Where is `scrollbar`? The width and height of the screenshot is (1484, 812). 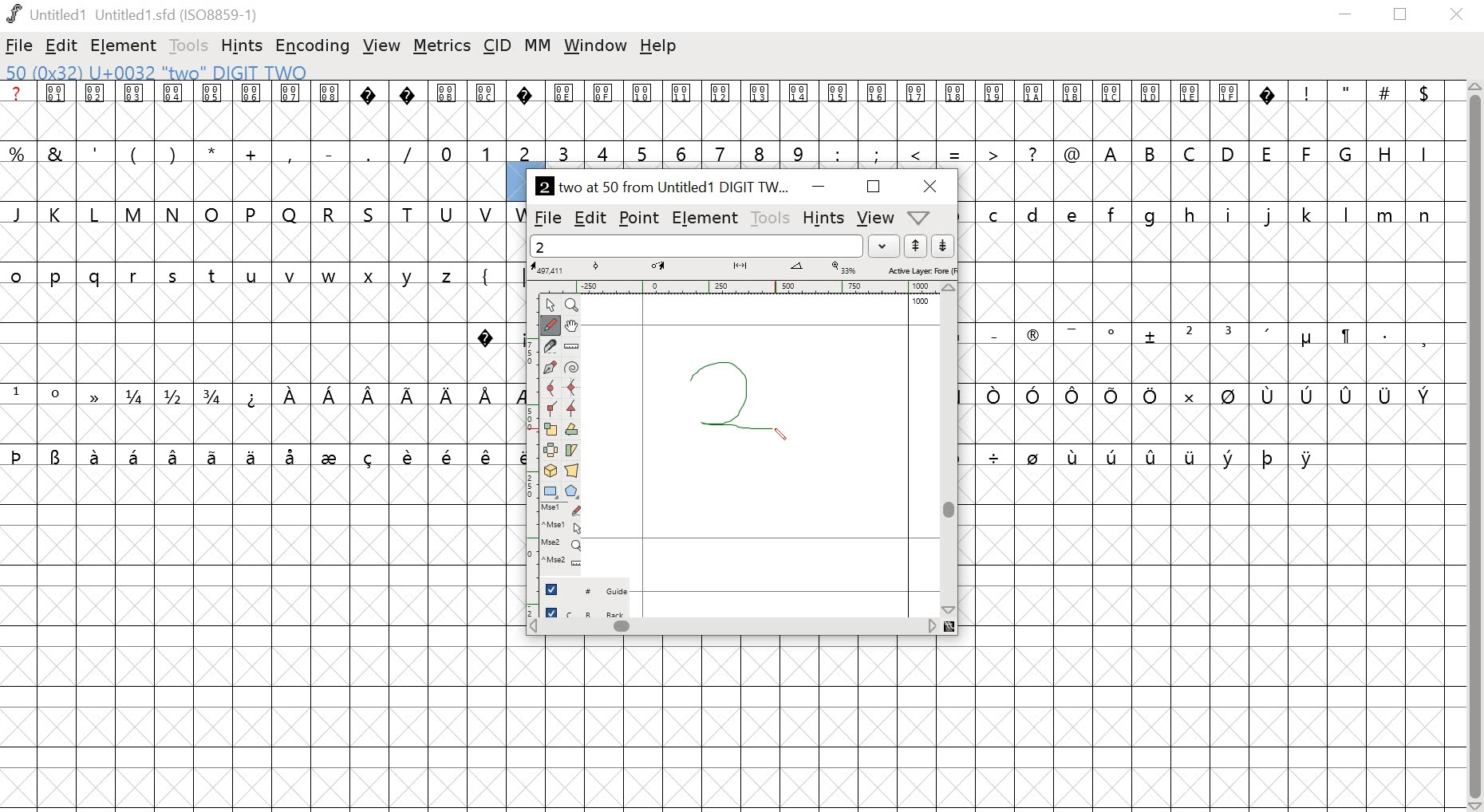 scrollbar is located at coordinates (1473, 447).